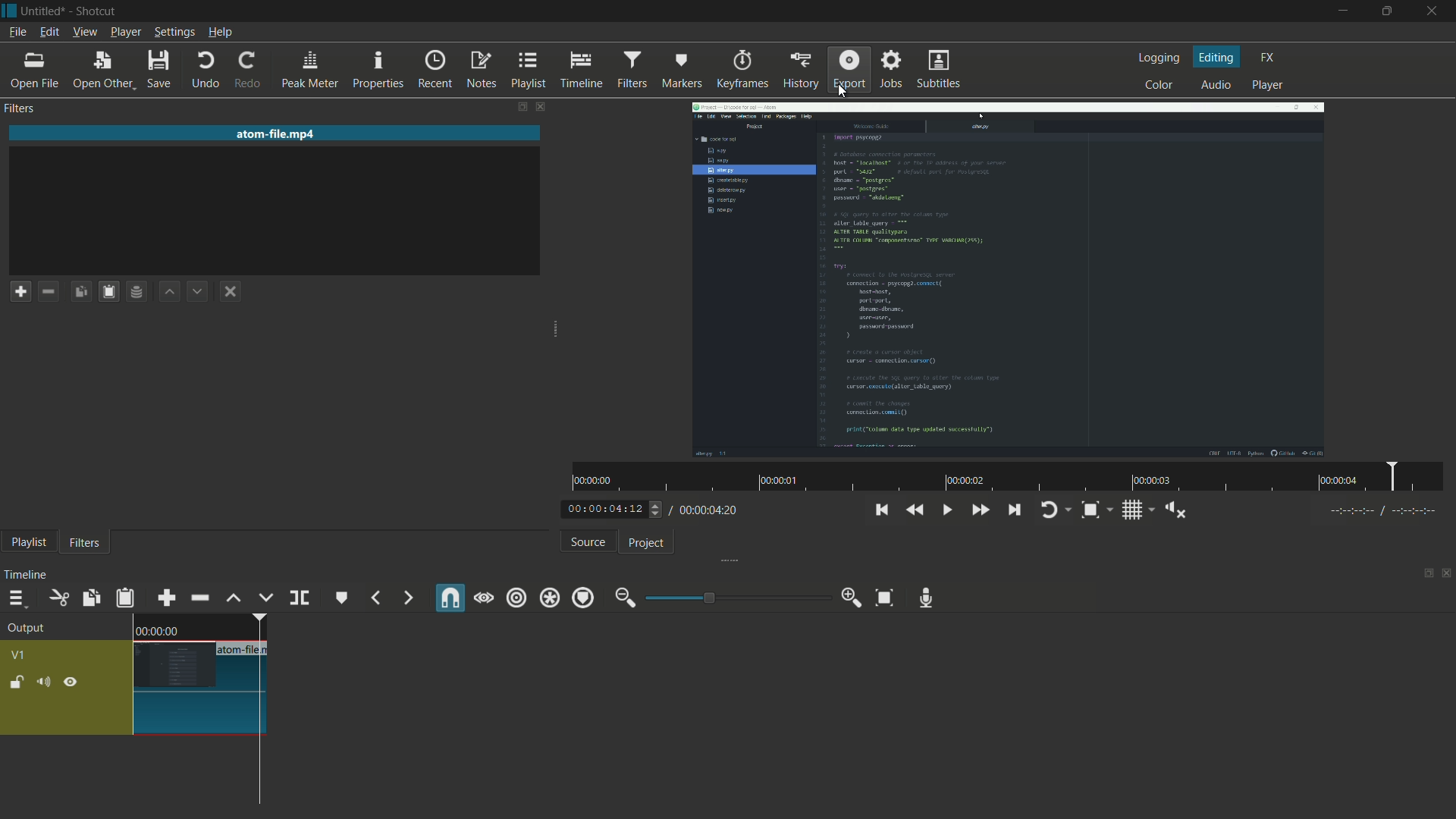 The width and height of the screenshot is (1456, 819). I want to click on toggle zoom, so click(1090, 510).